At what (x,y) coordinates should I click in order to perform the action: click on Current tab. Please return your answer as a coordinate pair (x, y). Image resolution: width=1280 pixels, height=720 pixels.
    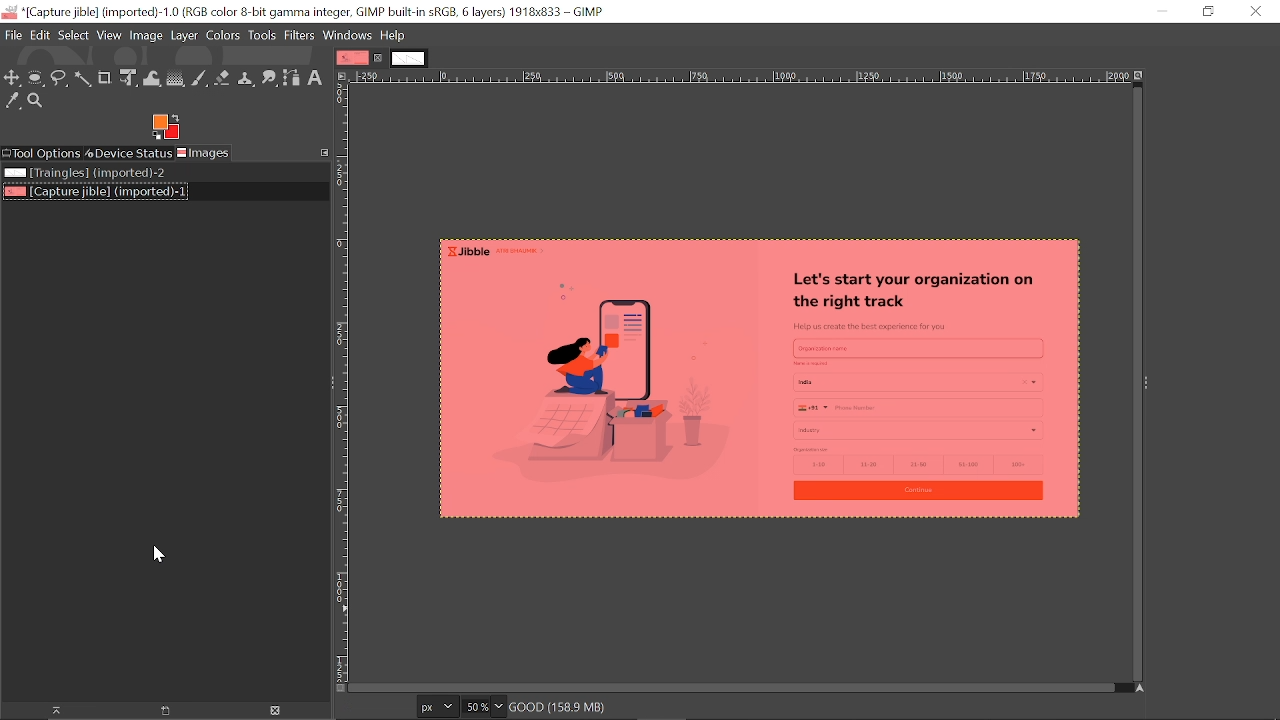
    Looking at the image, I should click on (352, 57).